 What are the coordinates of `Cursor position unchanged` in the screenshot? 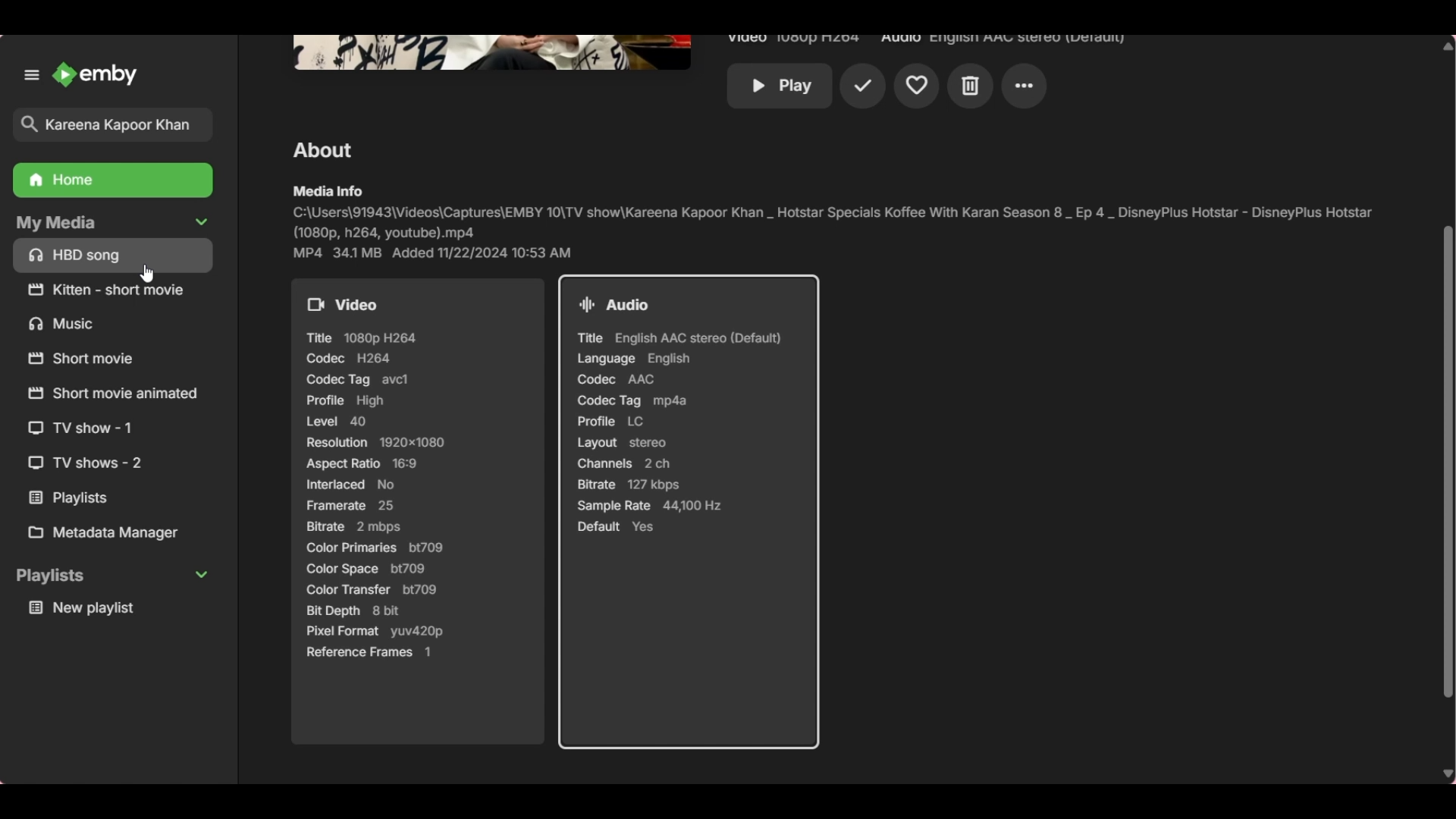 It's located at (146, 274).